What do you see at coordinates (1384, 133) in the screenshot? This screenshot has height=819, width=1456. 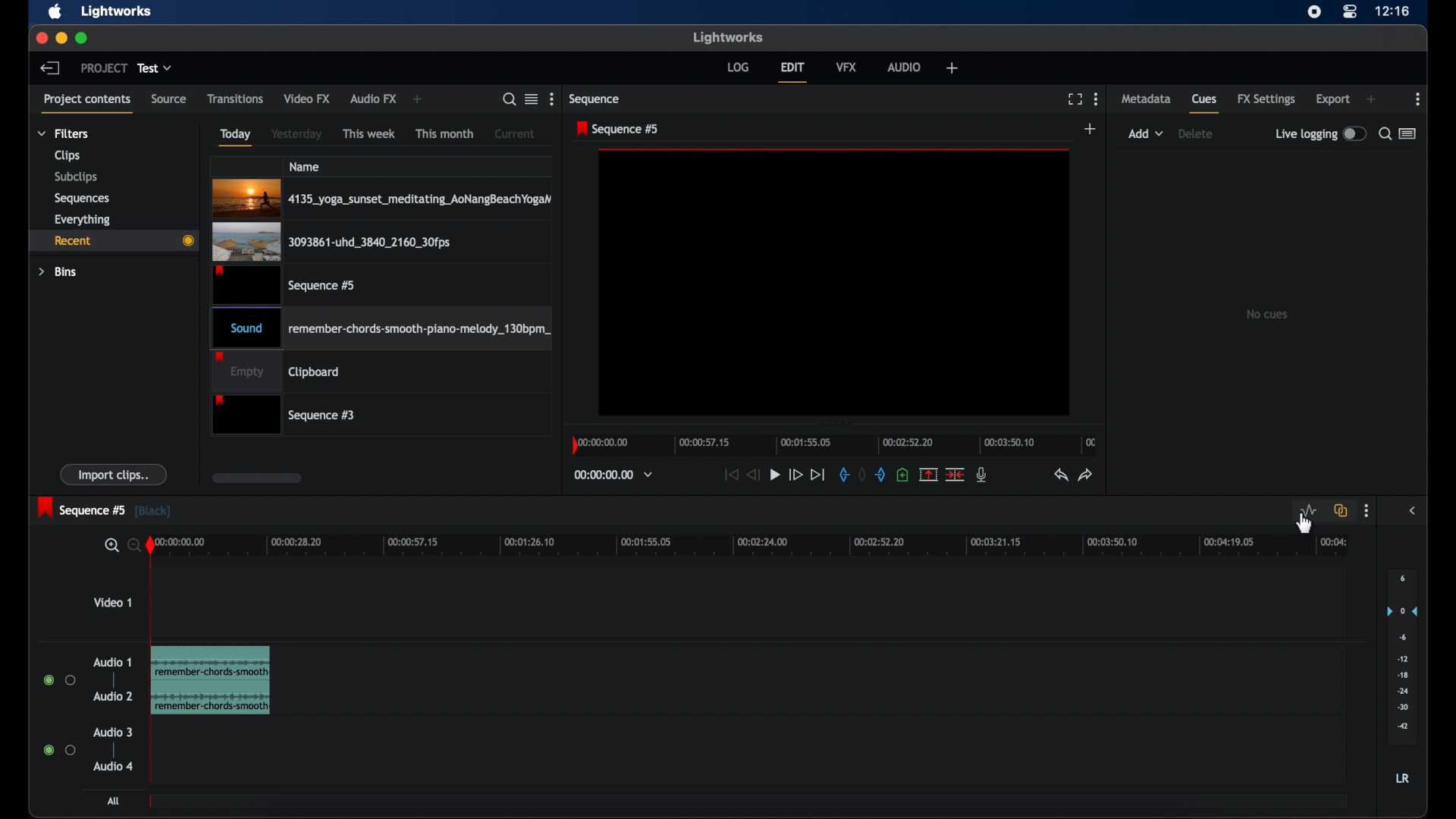 I see `search` at bounding box center [1384, 133].